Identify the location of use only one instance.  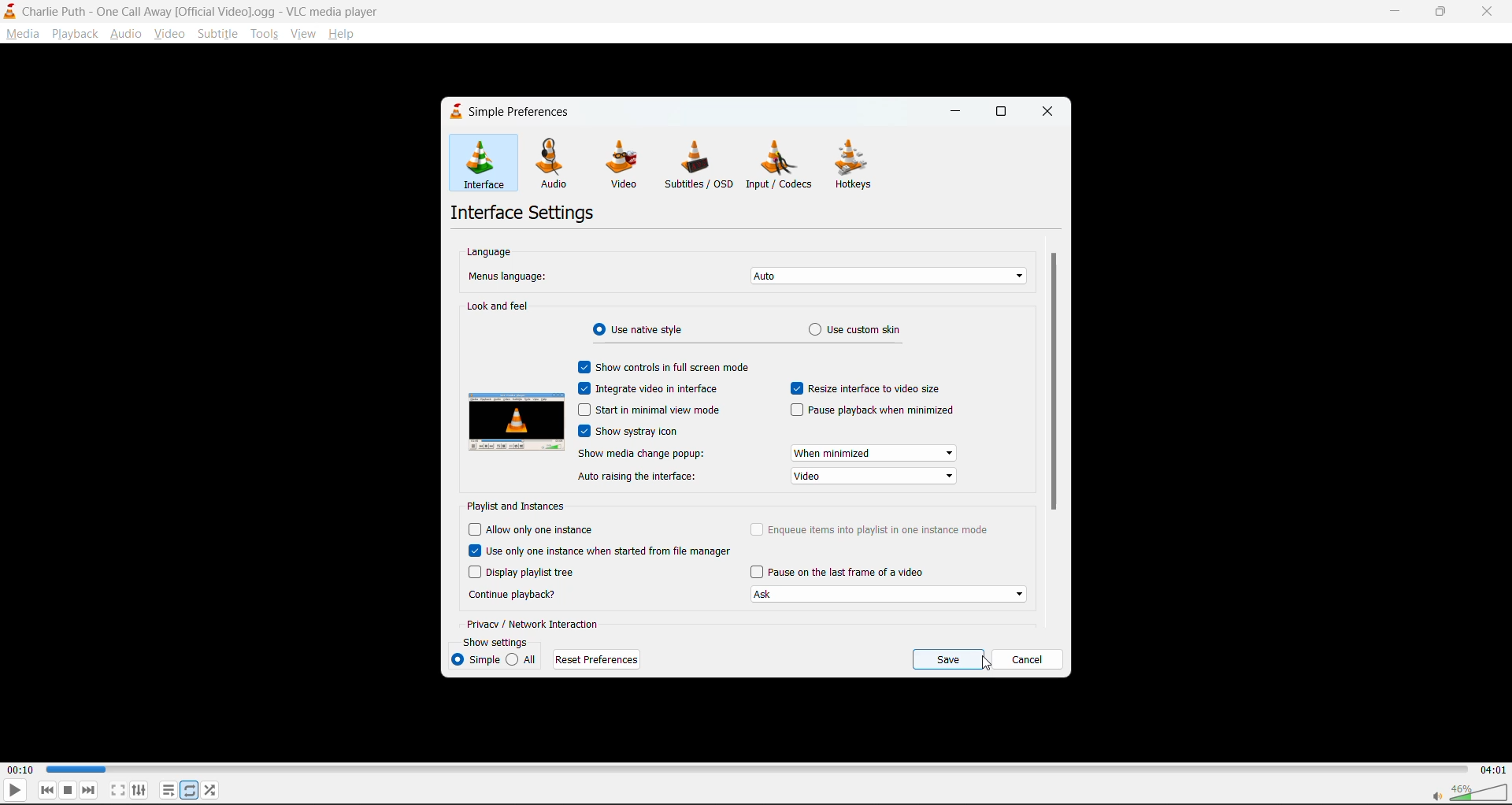
(610, 553).